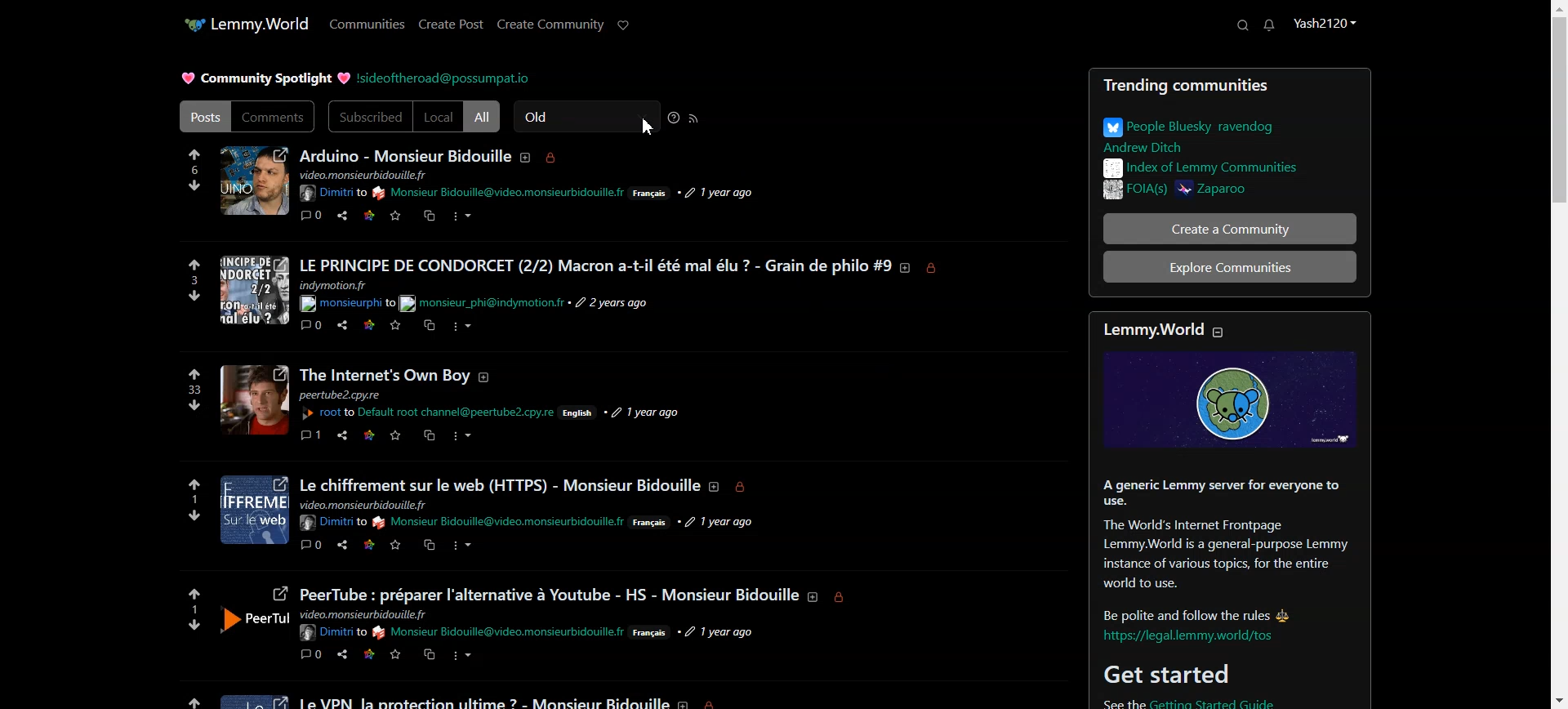  I want to click on text, so click(497, 484).